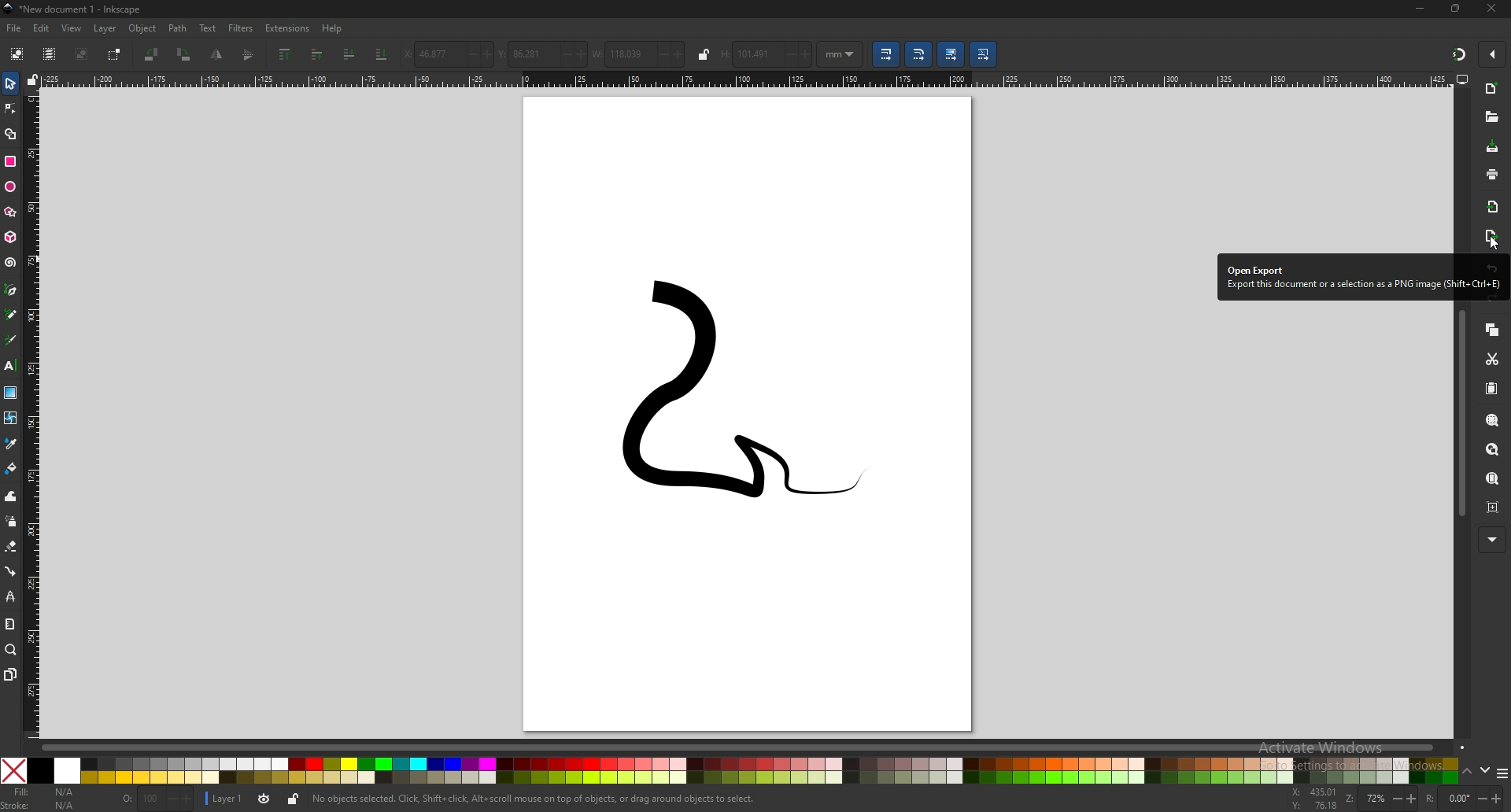  What do you see at coordinates (1462, 79) in the screenshot?
I see `display options` at bounding box center [1462, 79].